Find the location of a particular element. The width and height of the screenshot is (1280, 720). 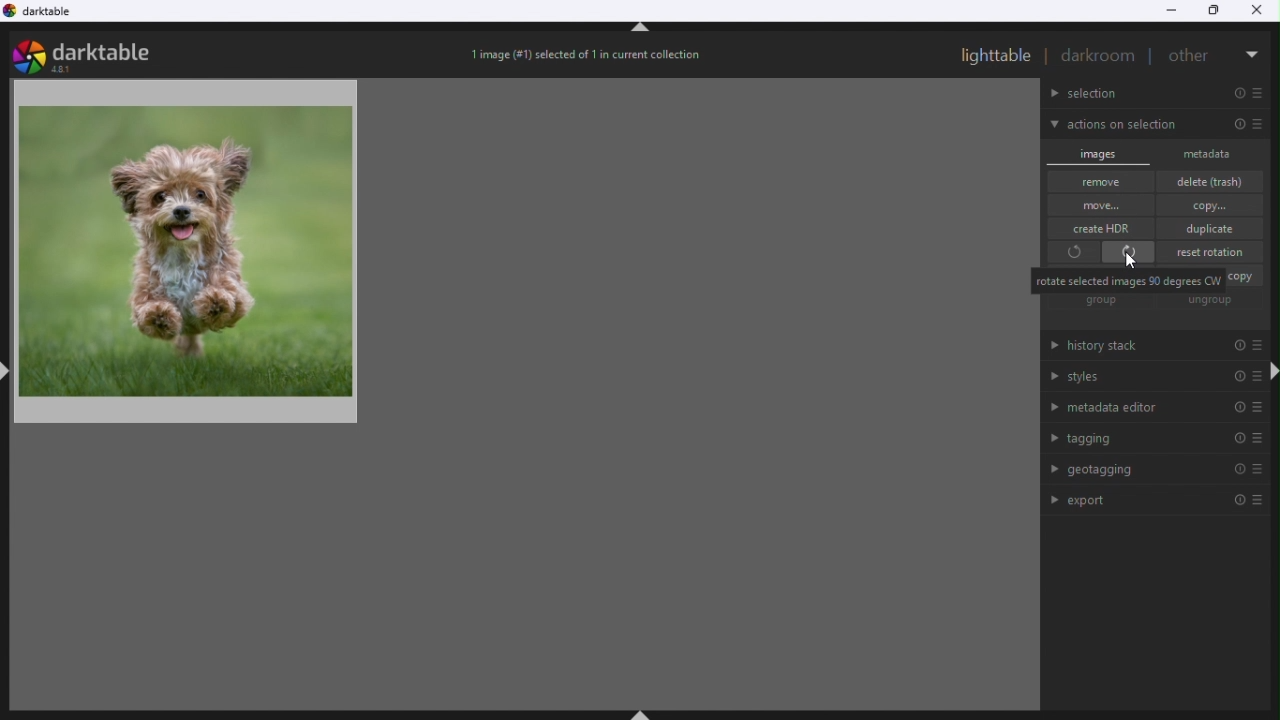

copy is located at coordinates (1245, 277).